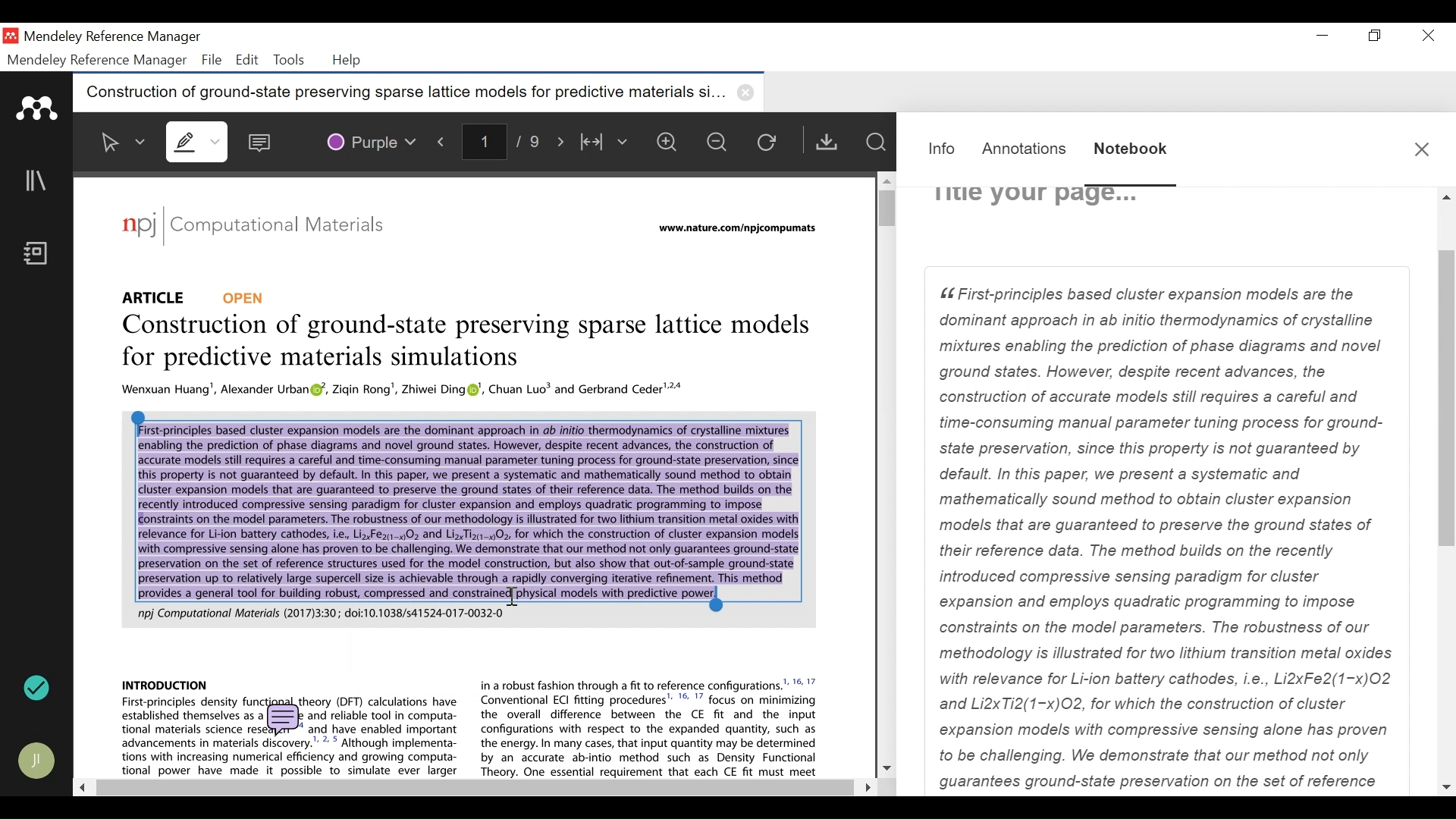  What do you see at coordinates (212, 60) in the screenshot?
I see `File` at bounding box center [212, 60].